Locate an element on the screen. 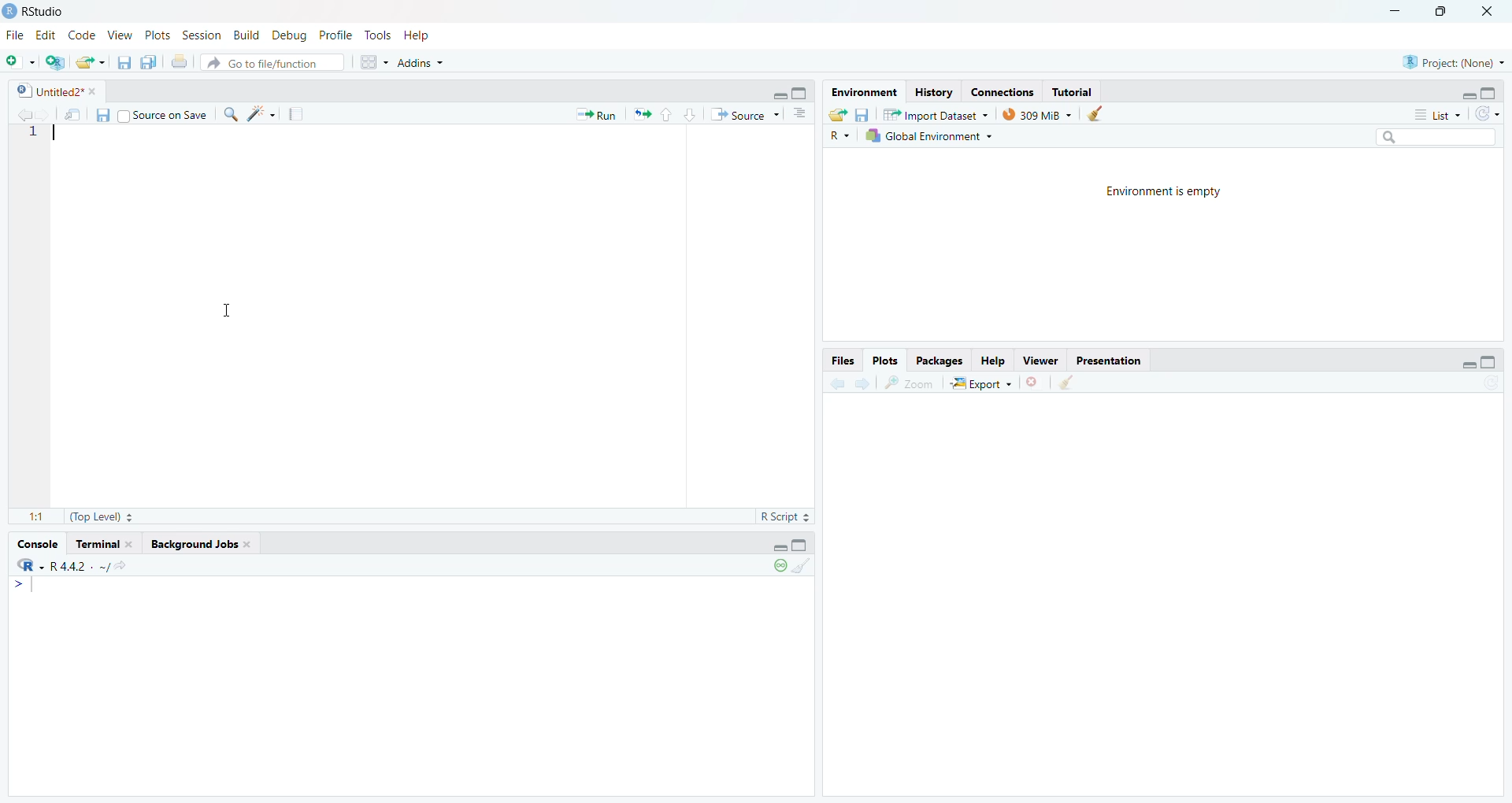 The image size is (1512, 803). Tutorial is located at coordinates (1077, 90).